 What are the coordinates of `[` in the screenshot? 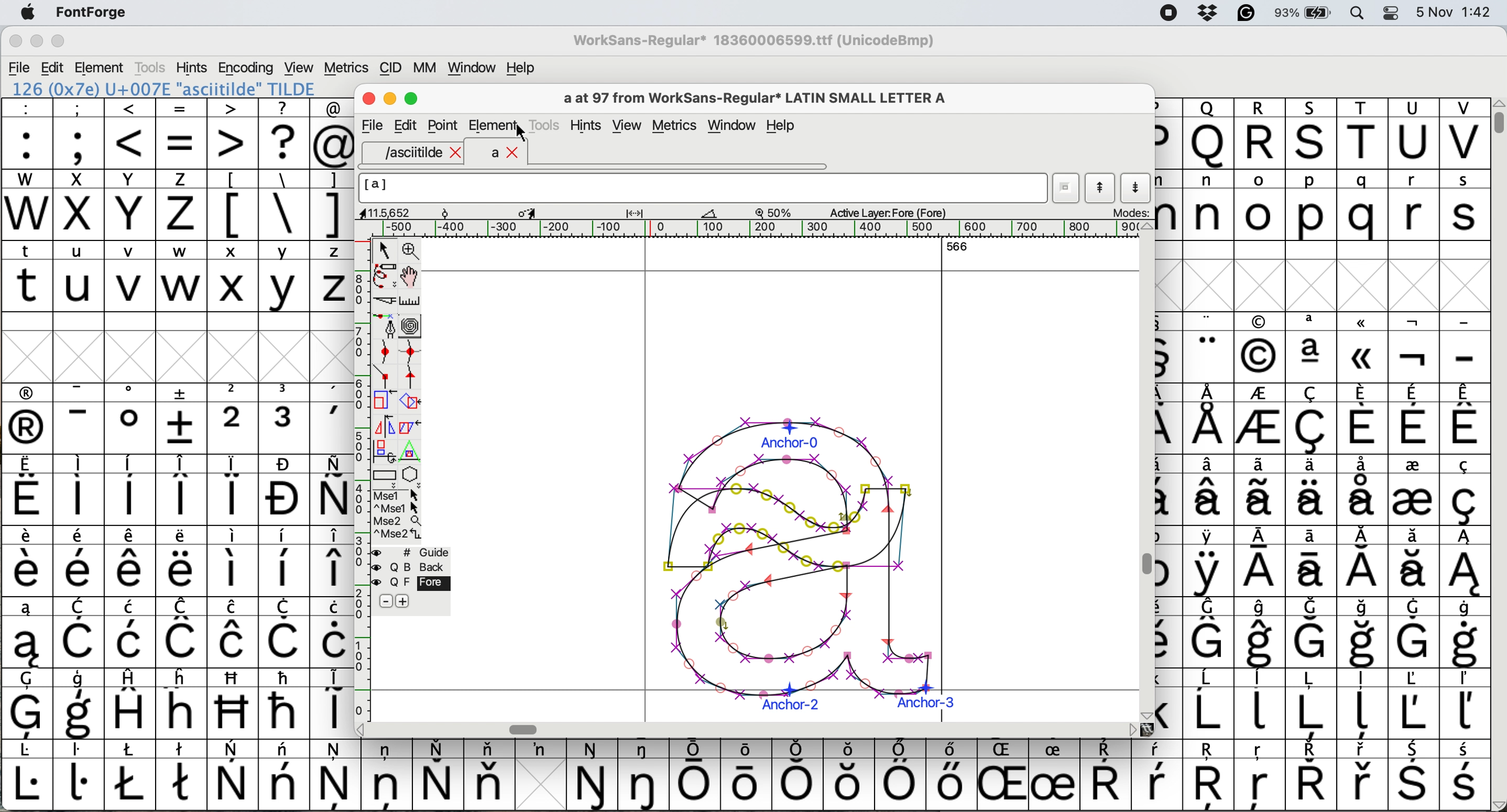 It's located at (233, 205).